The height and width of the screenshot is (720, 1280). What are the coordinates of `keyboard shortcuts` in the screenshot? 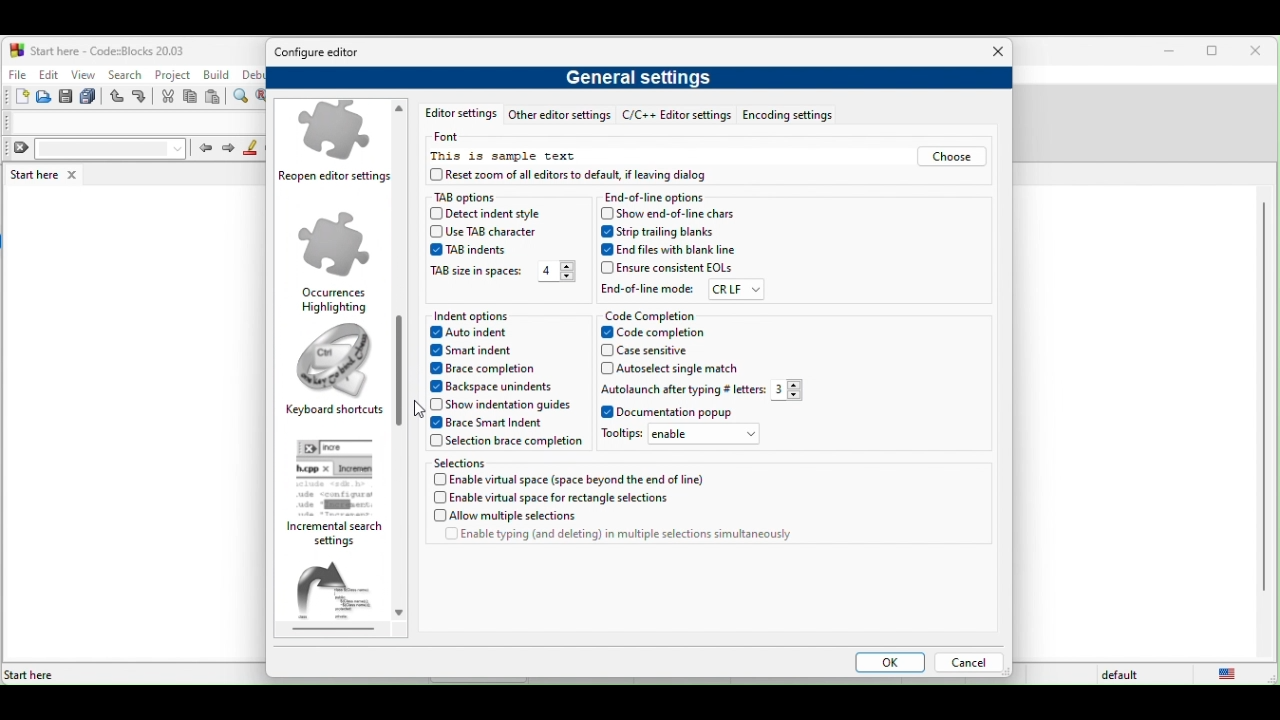 It's located at (335, 373).